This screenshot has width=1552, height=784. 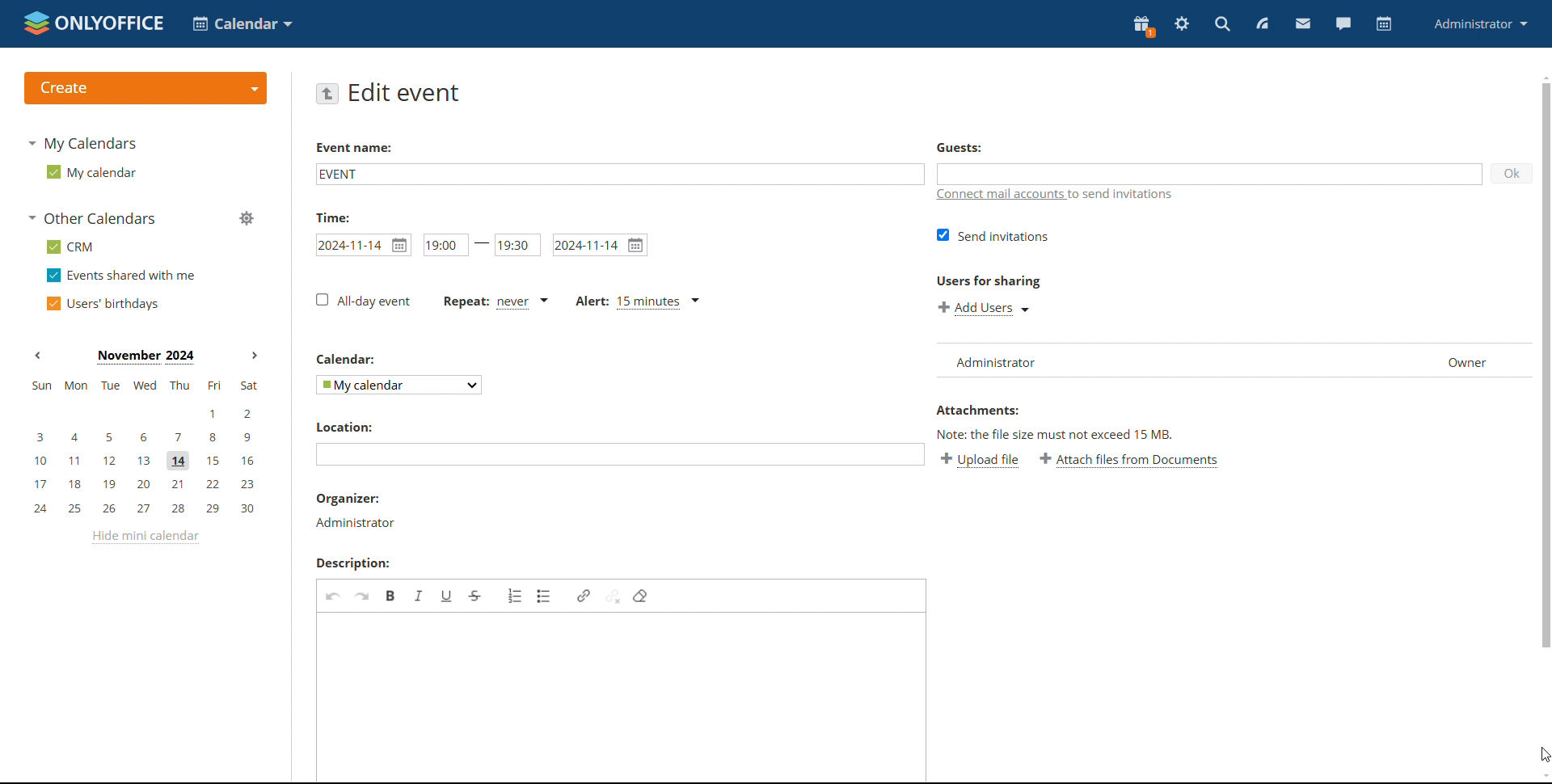 I want to click on select calendar, so click(x=398, y=385).